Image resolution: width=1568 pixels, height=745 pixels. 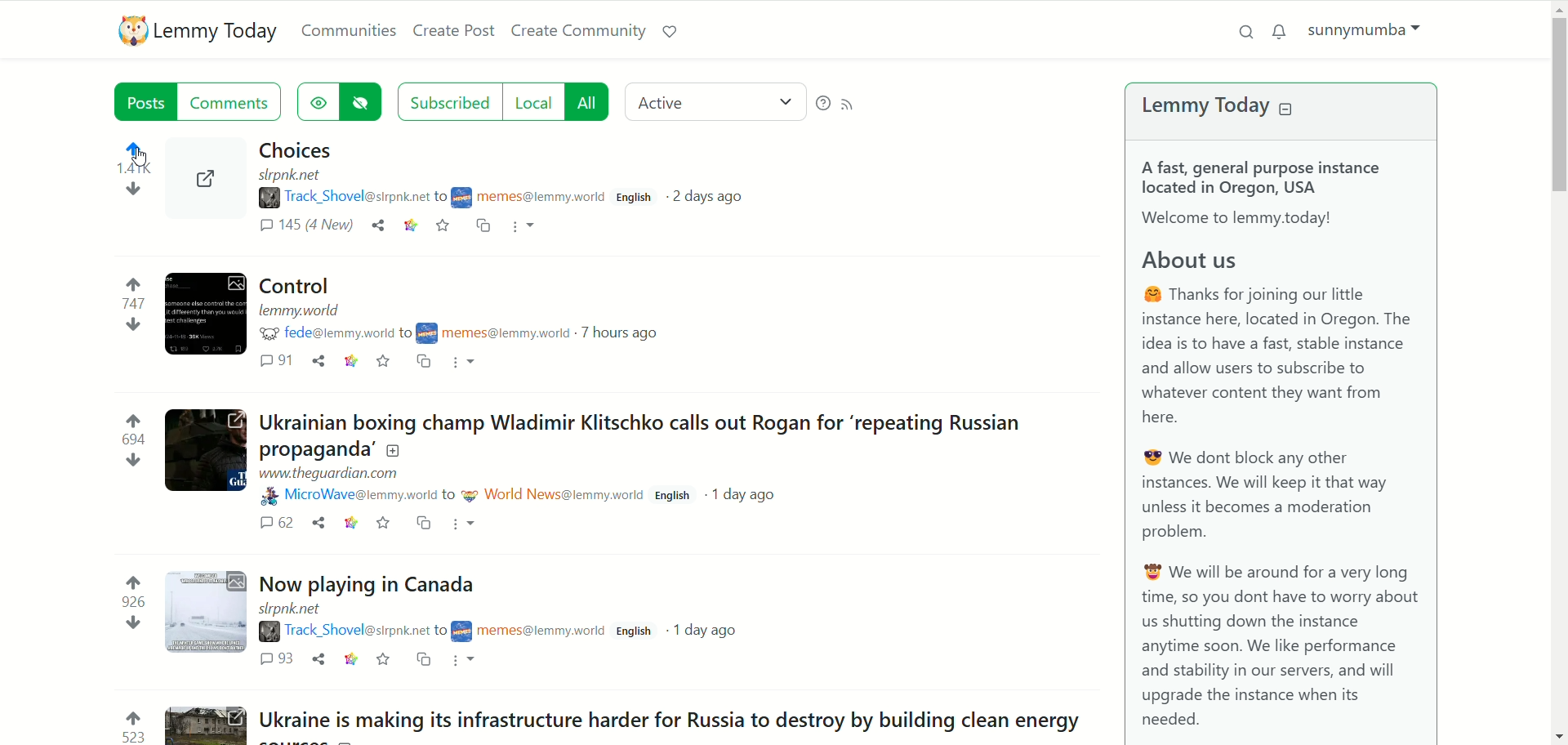 What do you see at coordinates (822, 105) in the screenshot?
I see `help` at bounding box center [822, 105].